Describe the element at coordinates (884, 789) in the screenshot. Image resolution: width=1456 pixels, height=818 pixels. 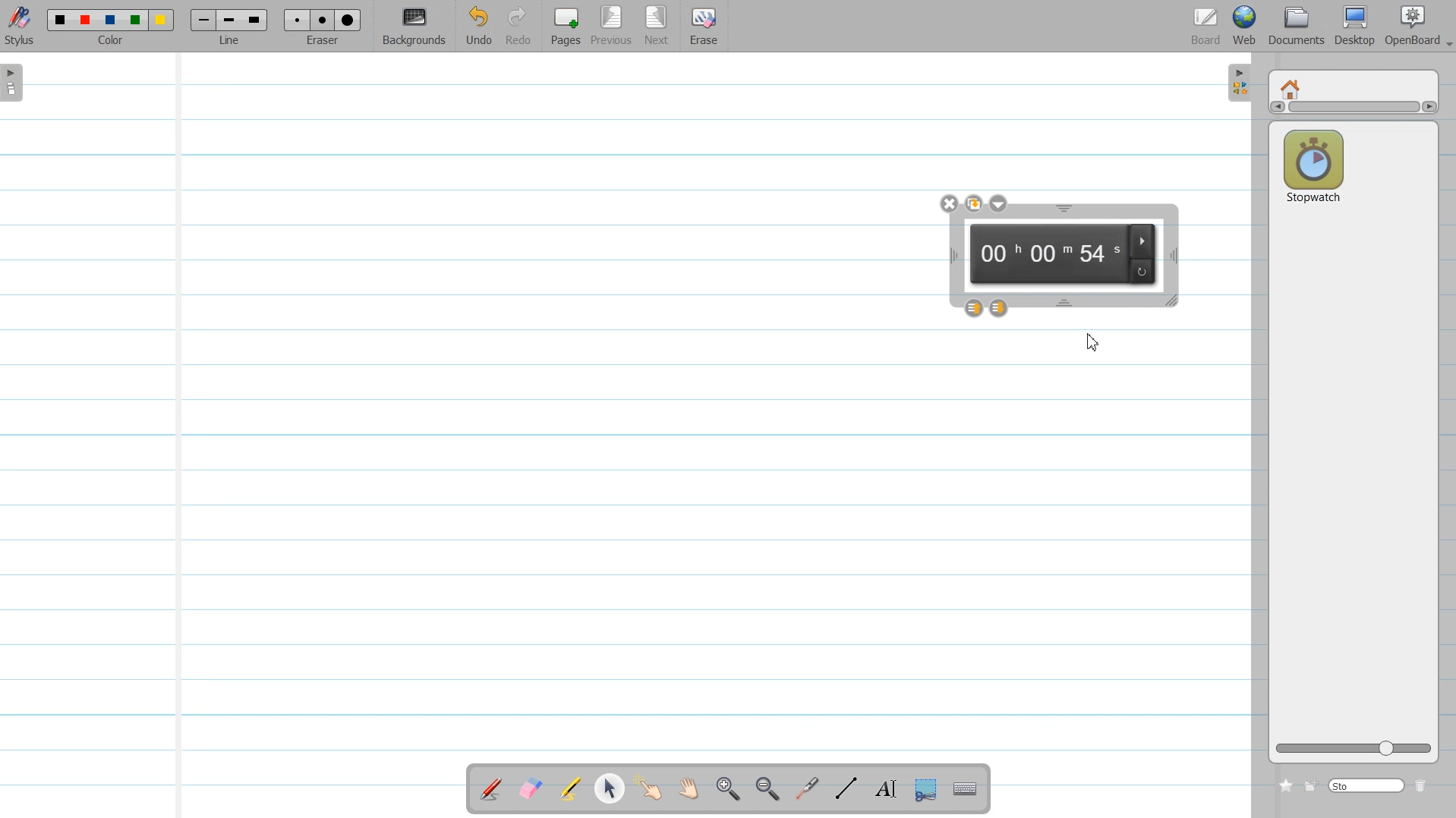
I see `Write Text` at that location.